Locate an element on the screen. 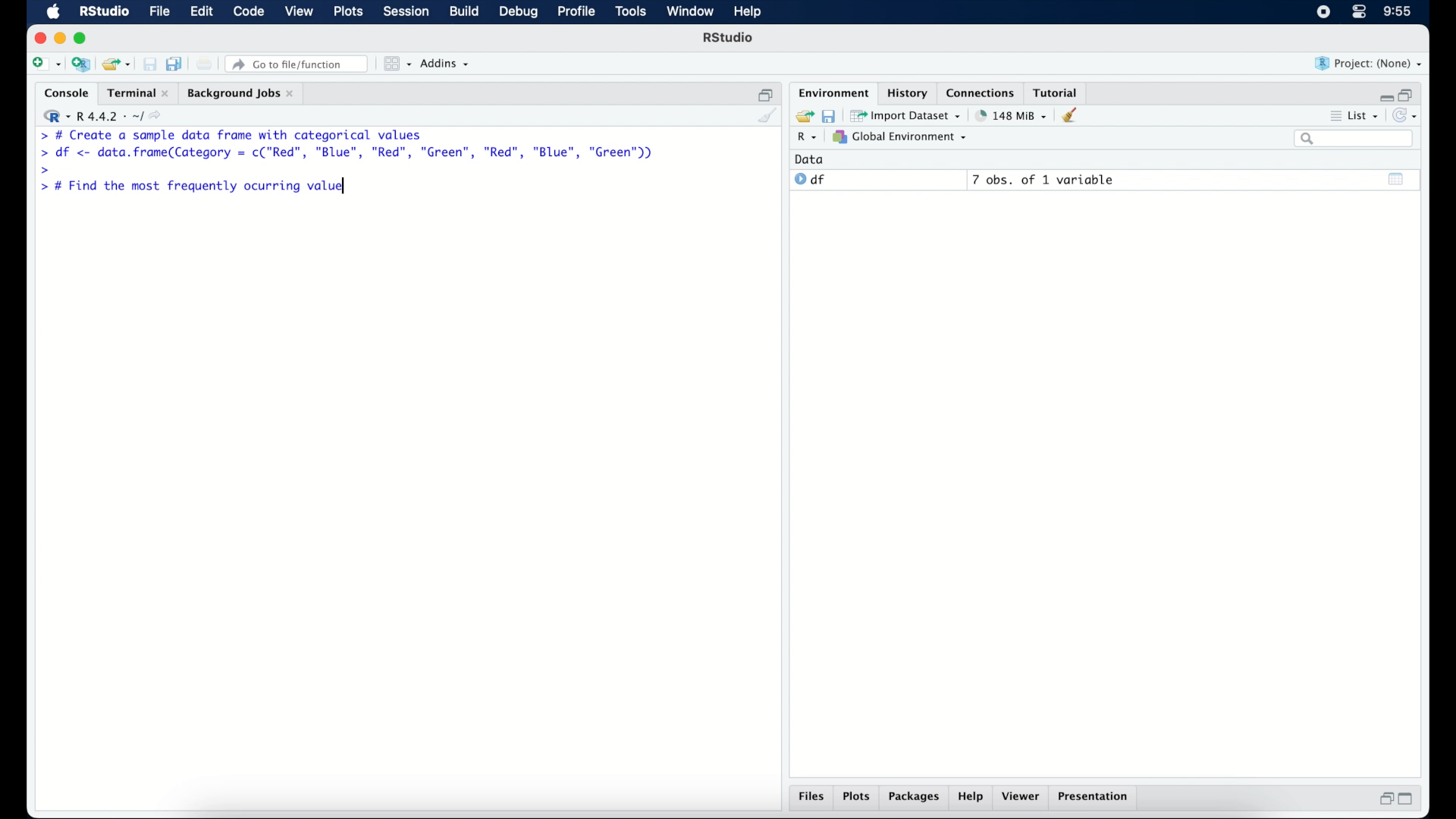 This screenshot has height=819, width=1456. edit is located at coordinates (202, 12).